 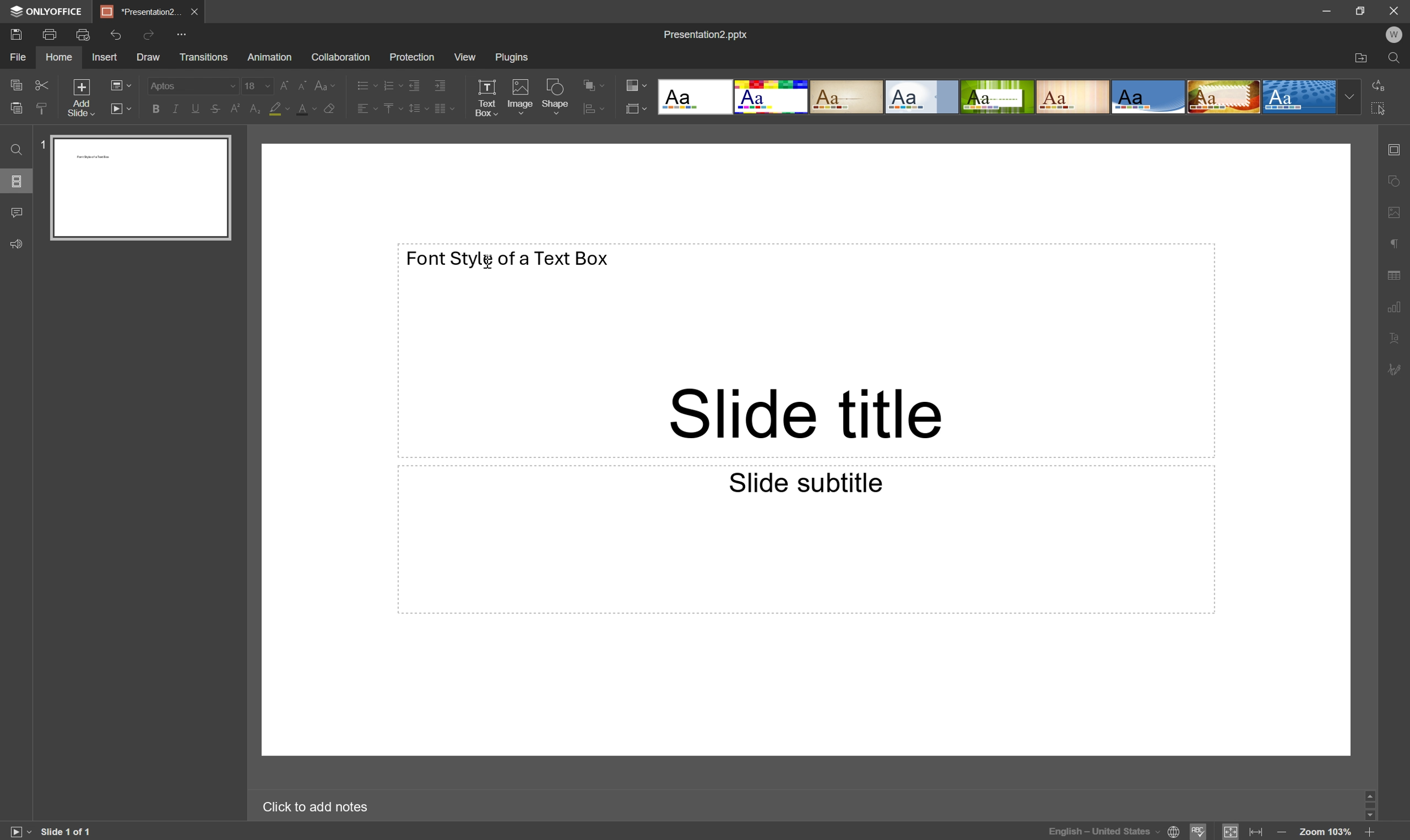 I want to click on Redo, so click(x=151, y=36).